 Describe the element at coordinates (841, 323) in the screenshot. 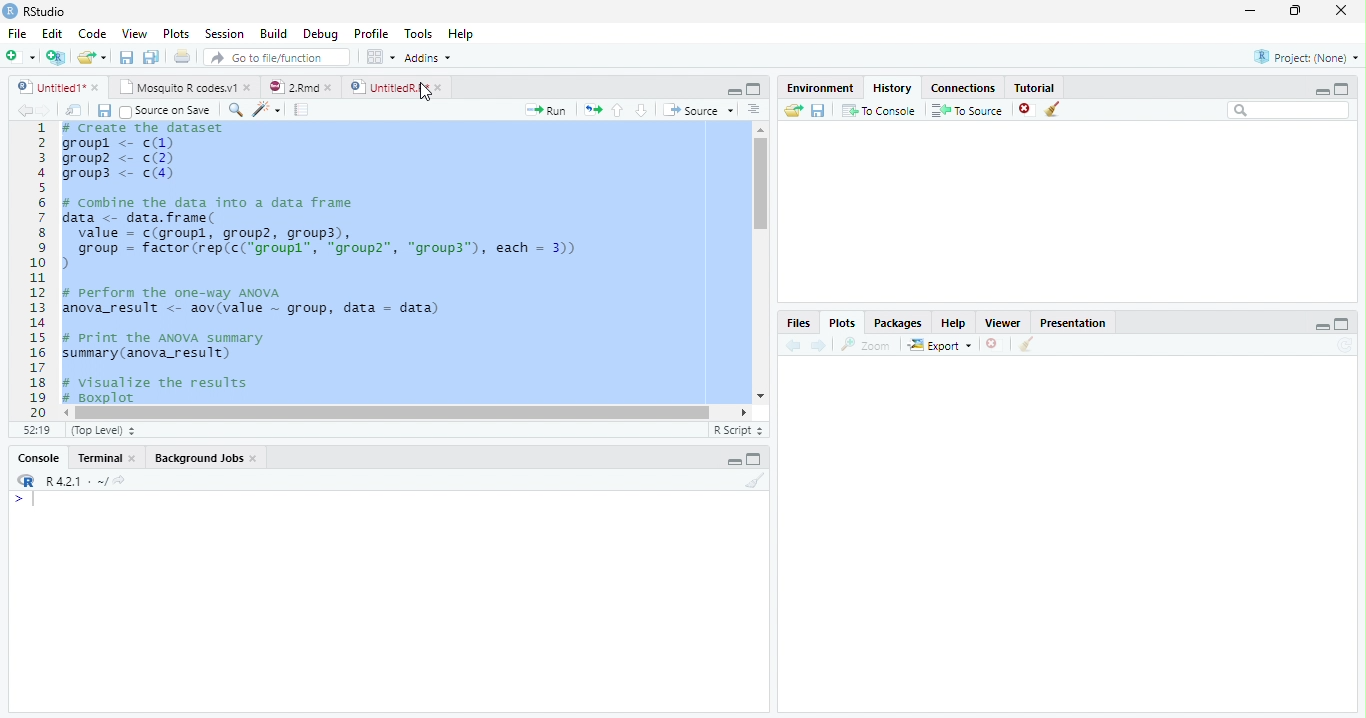

I see `Plots` at that location.